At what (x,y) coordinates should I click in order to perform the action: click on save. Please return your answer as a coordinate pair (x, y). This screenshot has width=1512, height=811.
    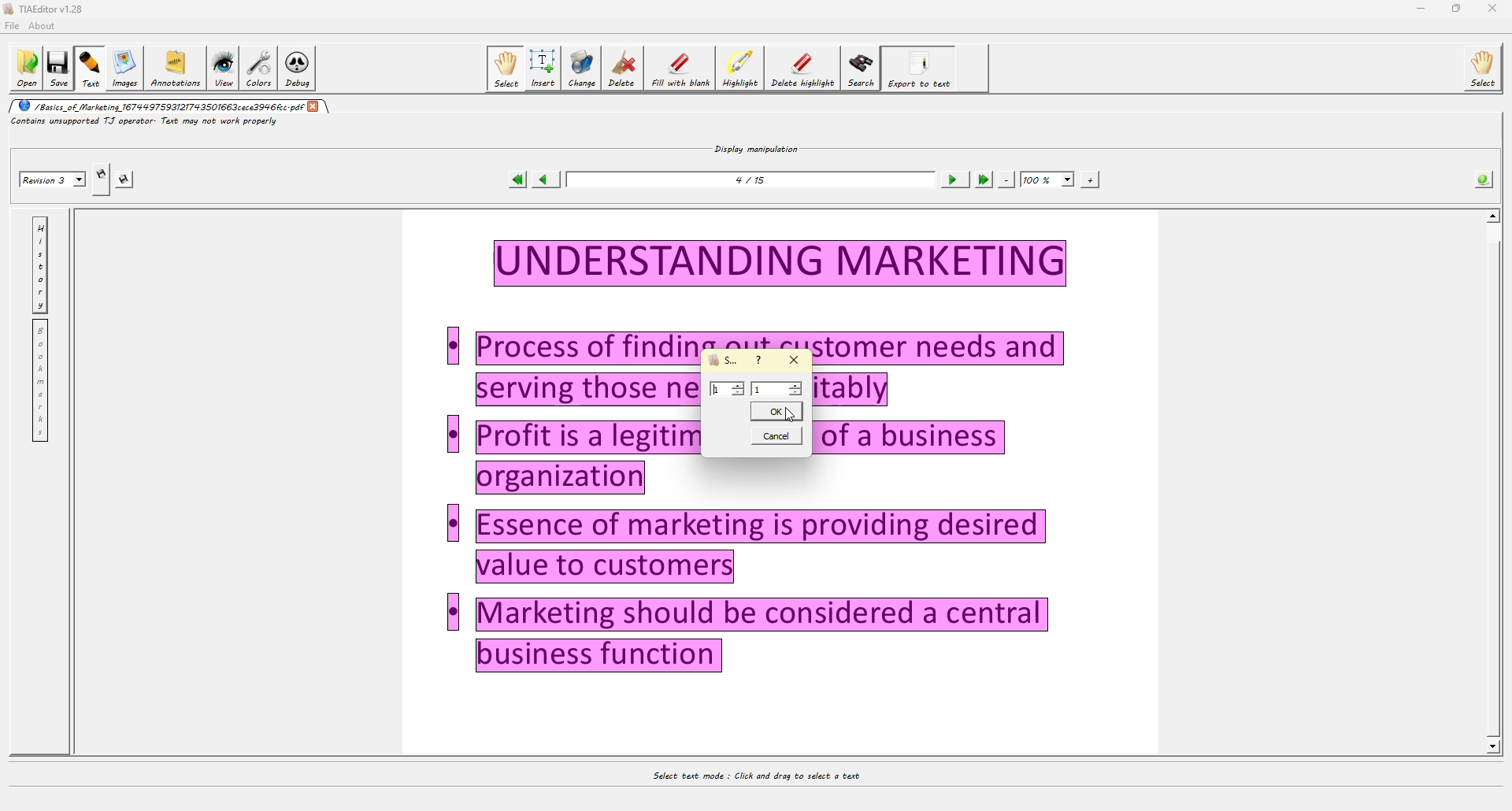
    Looking at the image, I should click on (125, 180).